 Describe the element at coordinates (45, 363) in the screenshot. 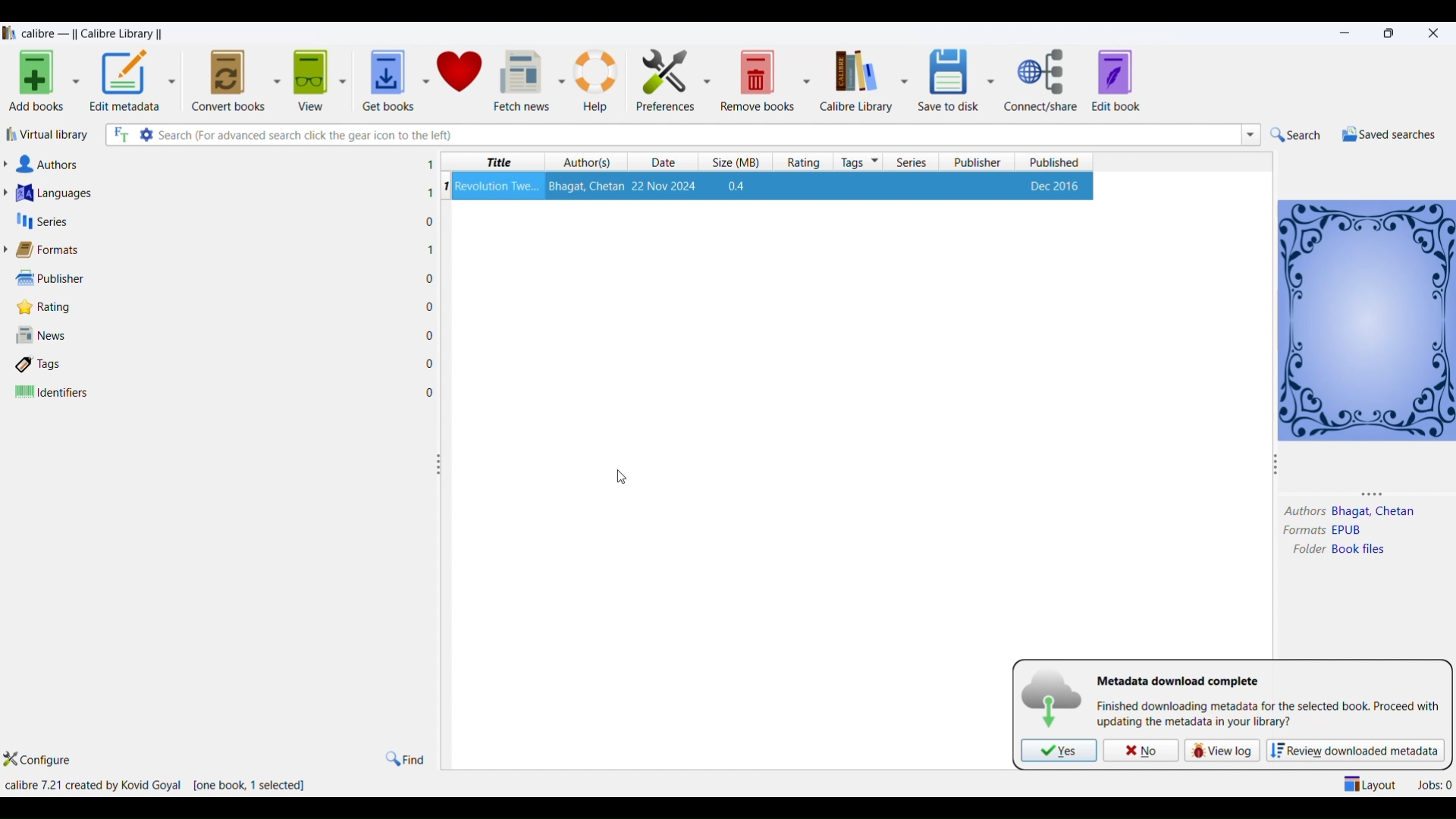

I see `tags and number of tags` at that location.